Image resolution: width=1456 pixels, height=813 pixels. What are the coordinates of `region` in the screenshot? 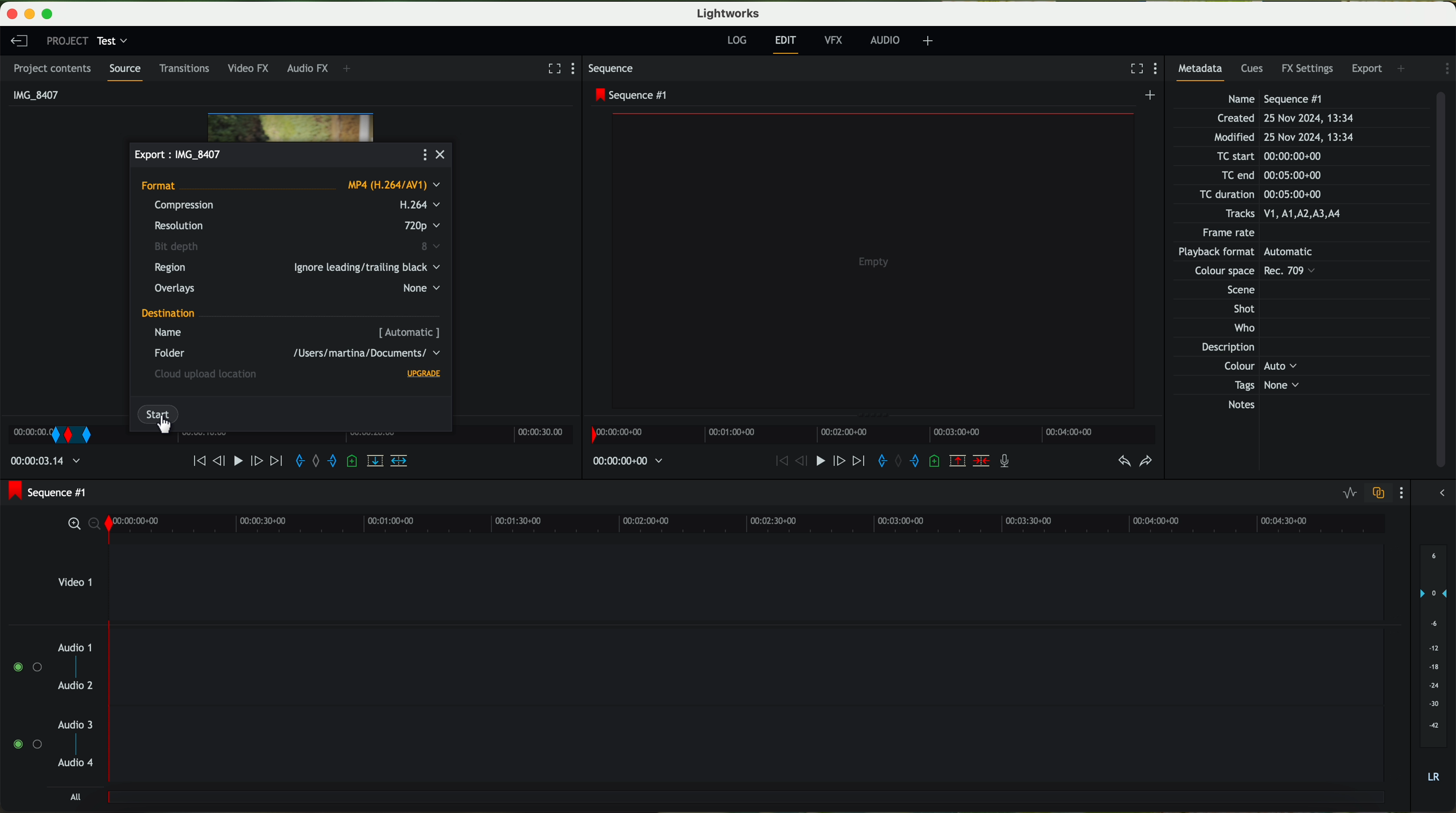 It's located at (299, 268).